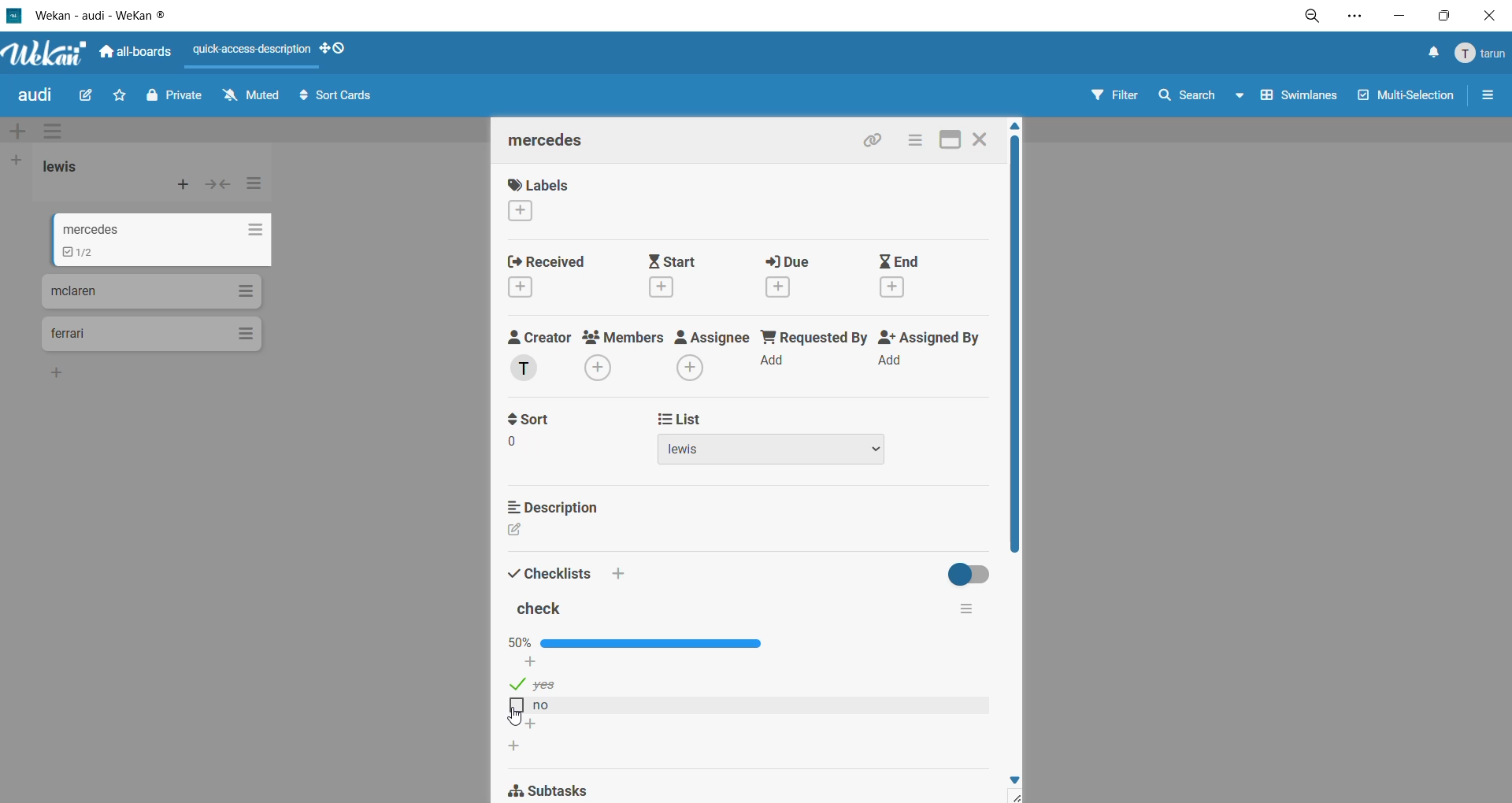  Describe the element at coordinates (32, 98) in the screenshot. I see `board title` at that location.